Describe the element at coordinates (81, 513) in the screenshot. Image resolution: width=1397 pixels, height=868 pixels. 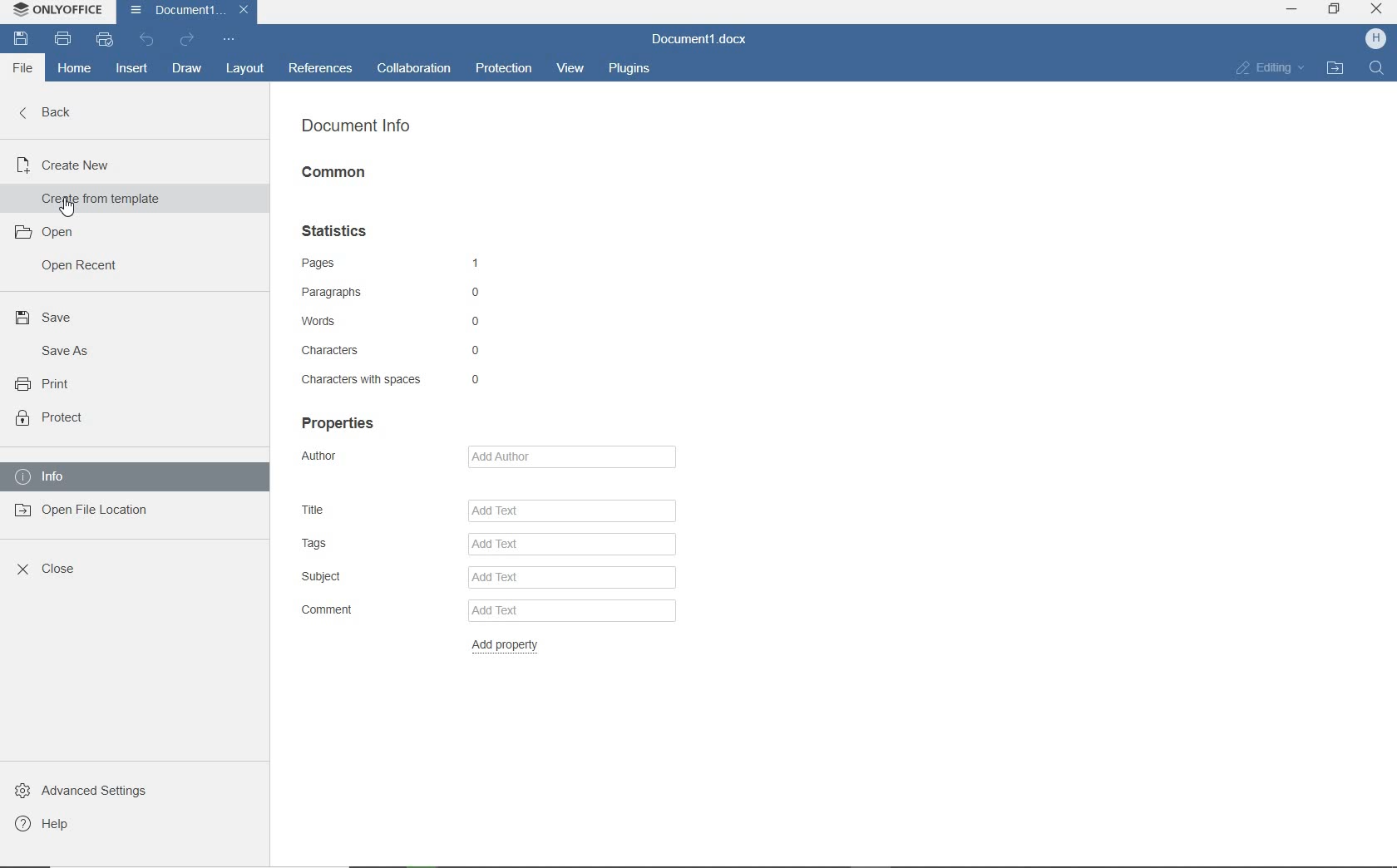
I see `open file location` at that location.